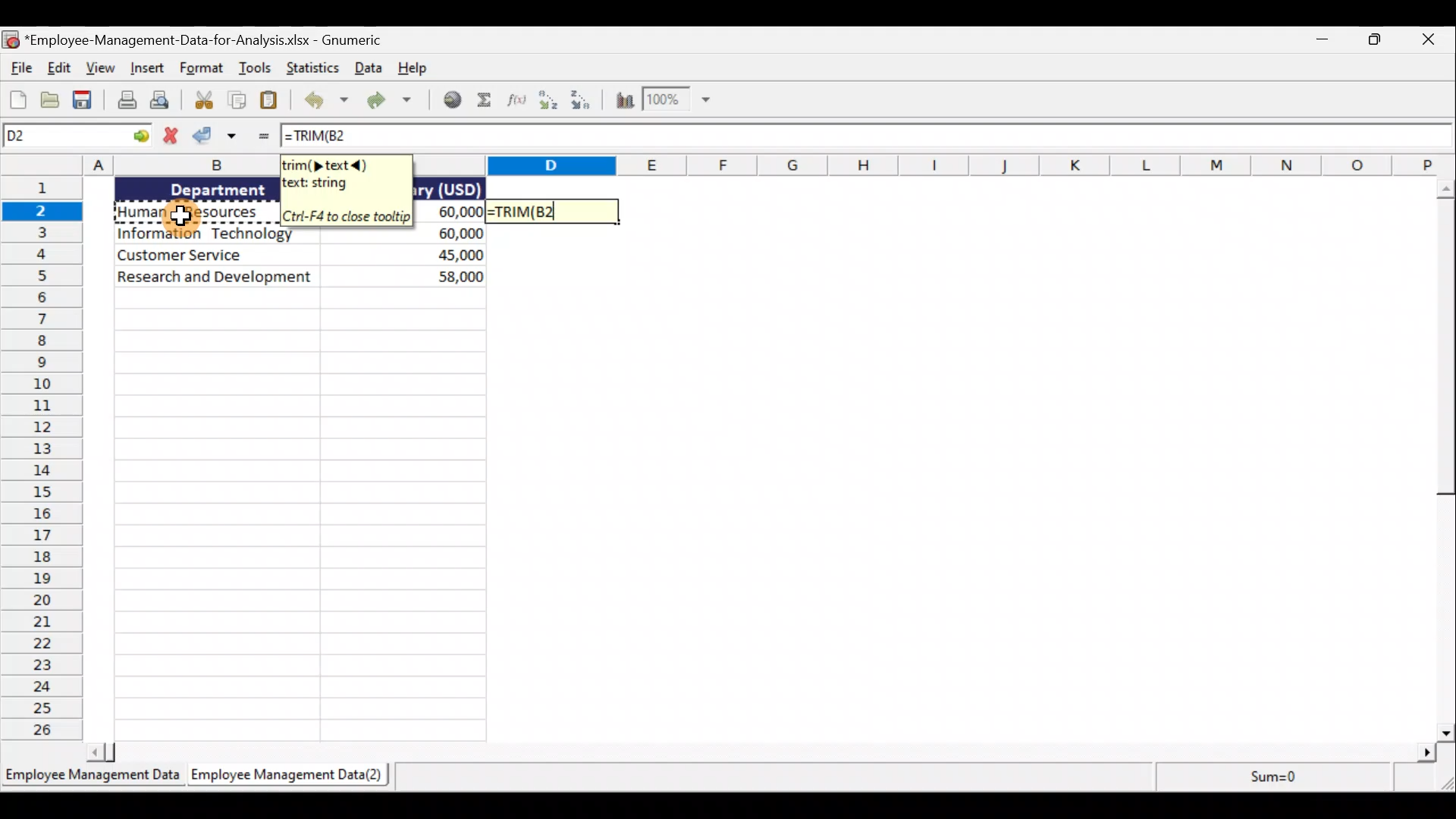 This screenshot has width=1456, height=819. Describe the element at coordinates (263, 139) in the screenshot. I see `Enter Formula` at that location.